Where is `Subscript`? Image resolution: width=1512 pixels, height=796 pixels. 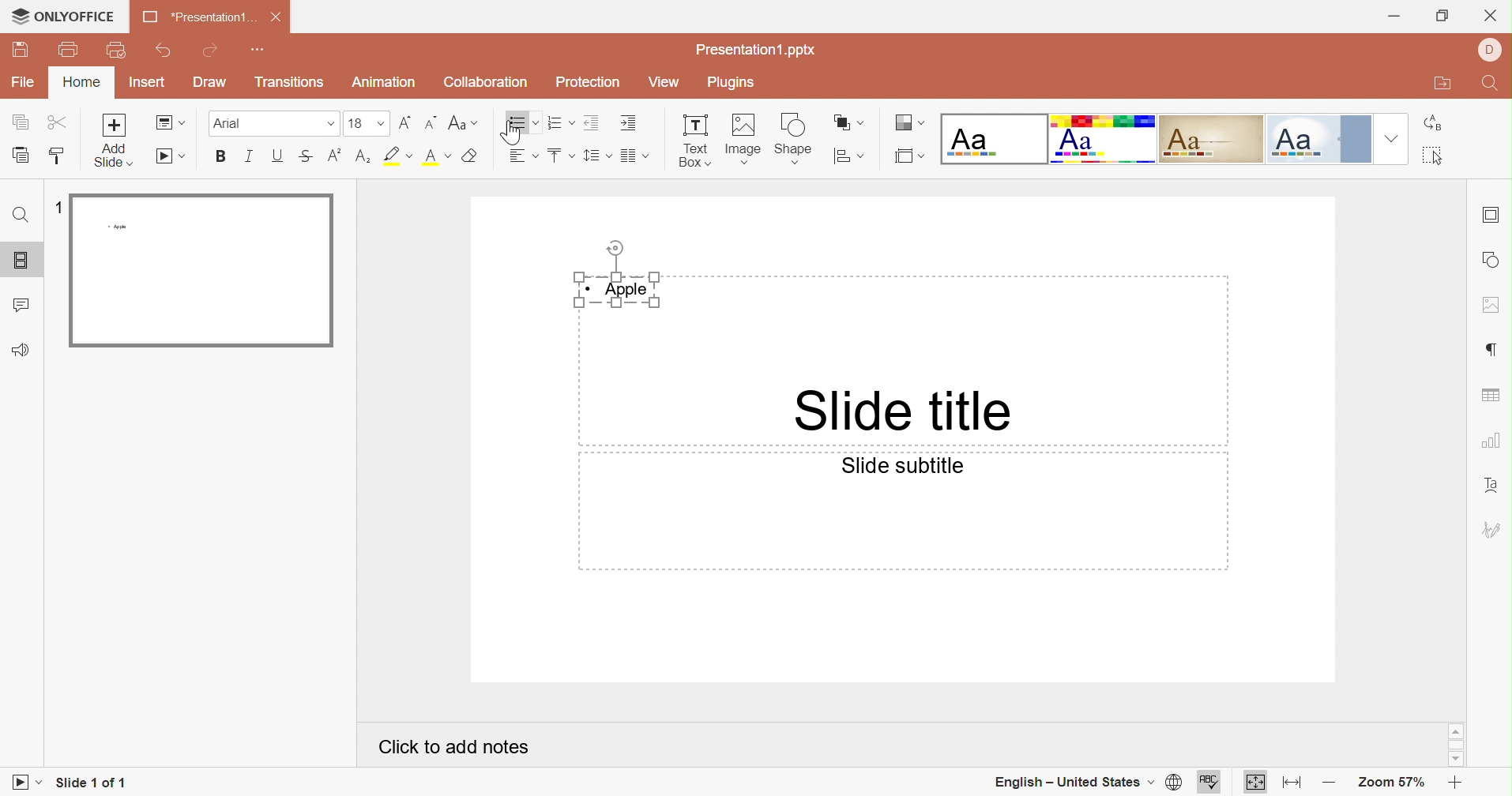
Subscript is located at coordinates (335, 157).